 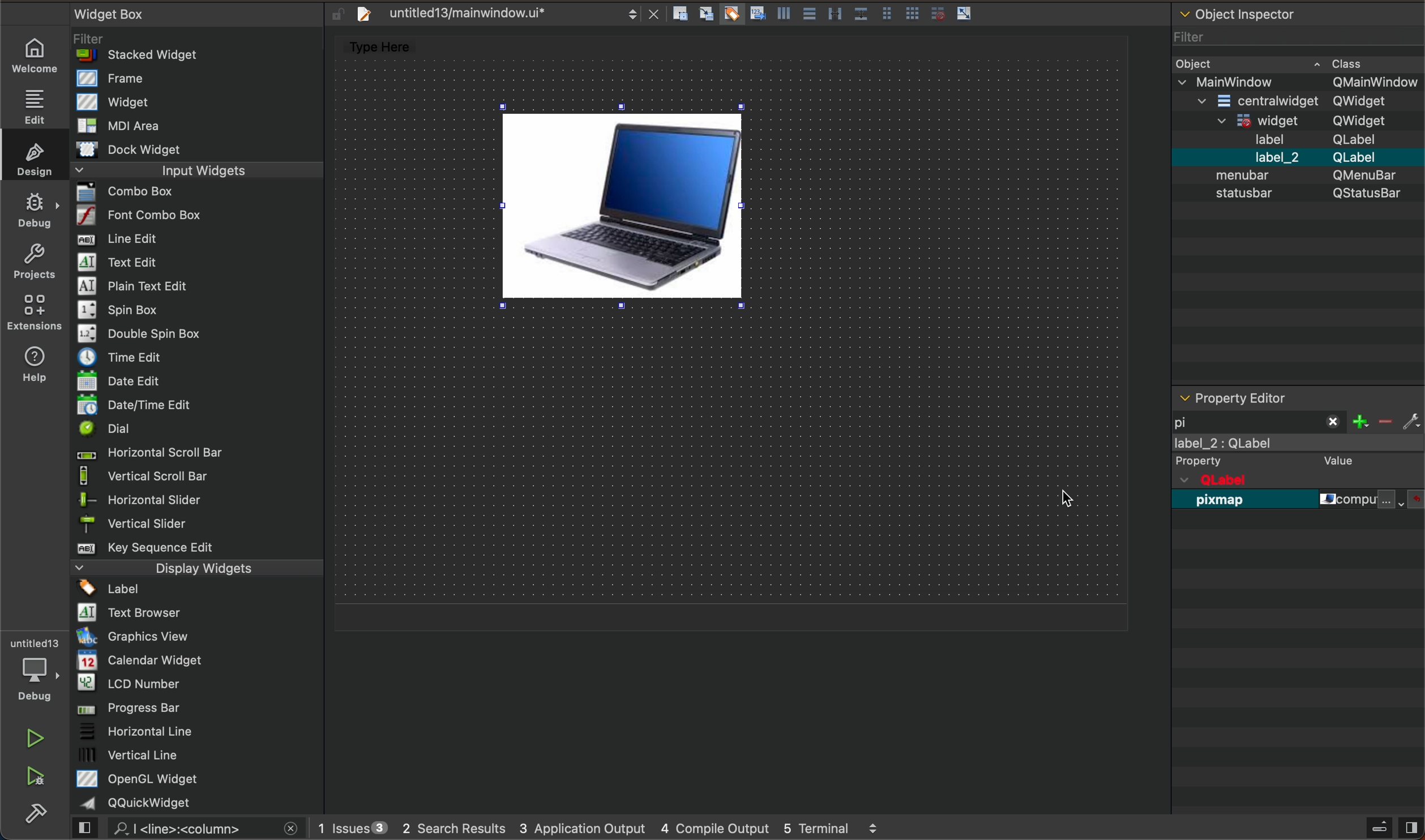 What do you see at coordinates (1296, 194) in the screenshot?
I see `object inspector` at bounding box center [1296, 194].